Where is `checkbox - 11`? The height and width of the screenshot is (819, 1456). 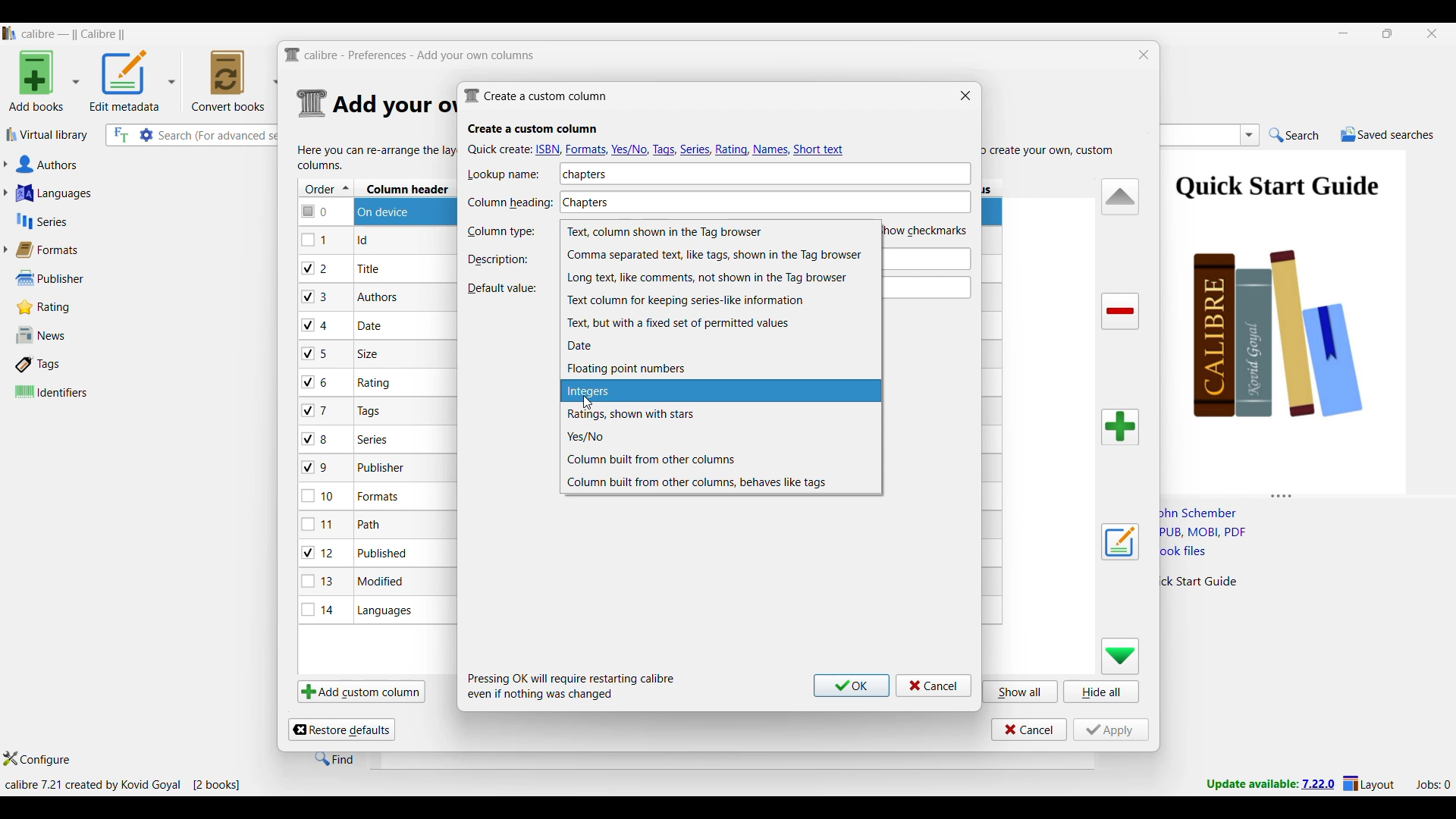 checkbox - 11 is located at coordinates (320, 524).